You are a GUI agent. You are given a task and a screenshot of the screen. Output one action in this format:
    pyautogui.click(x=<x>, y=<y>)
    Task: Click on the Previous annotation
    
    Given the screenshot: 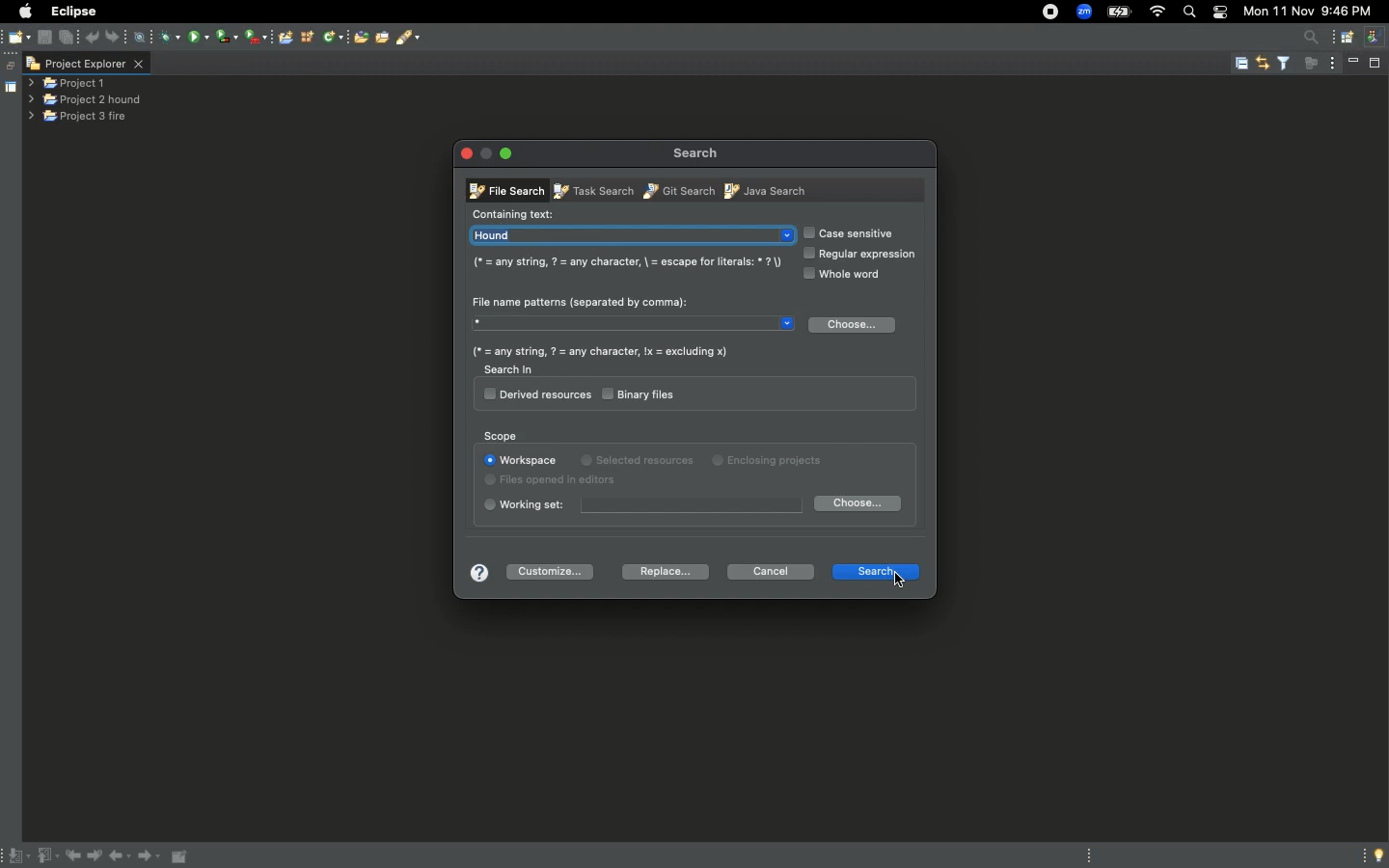 What is the action you would take?
    pyautogui.click(x=46, y=856)
    